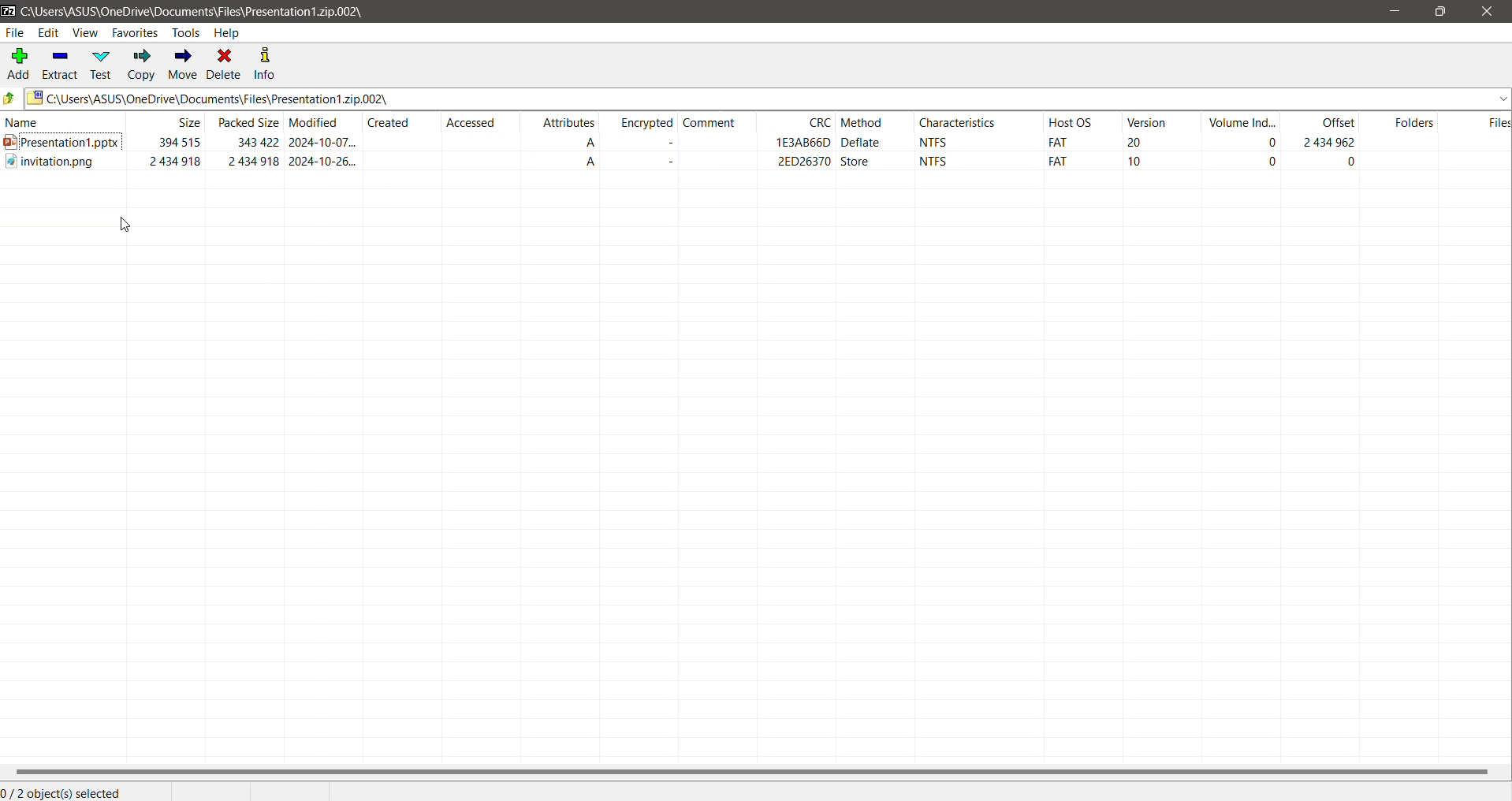 The height and width of the screenshot is (801, 1512). Describe the element at coordinates (797, 143) in the screenshot. I see `1ED26370` at that location.